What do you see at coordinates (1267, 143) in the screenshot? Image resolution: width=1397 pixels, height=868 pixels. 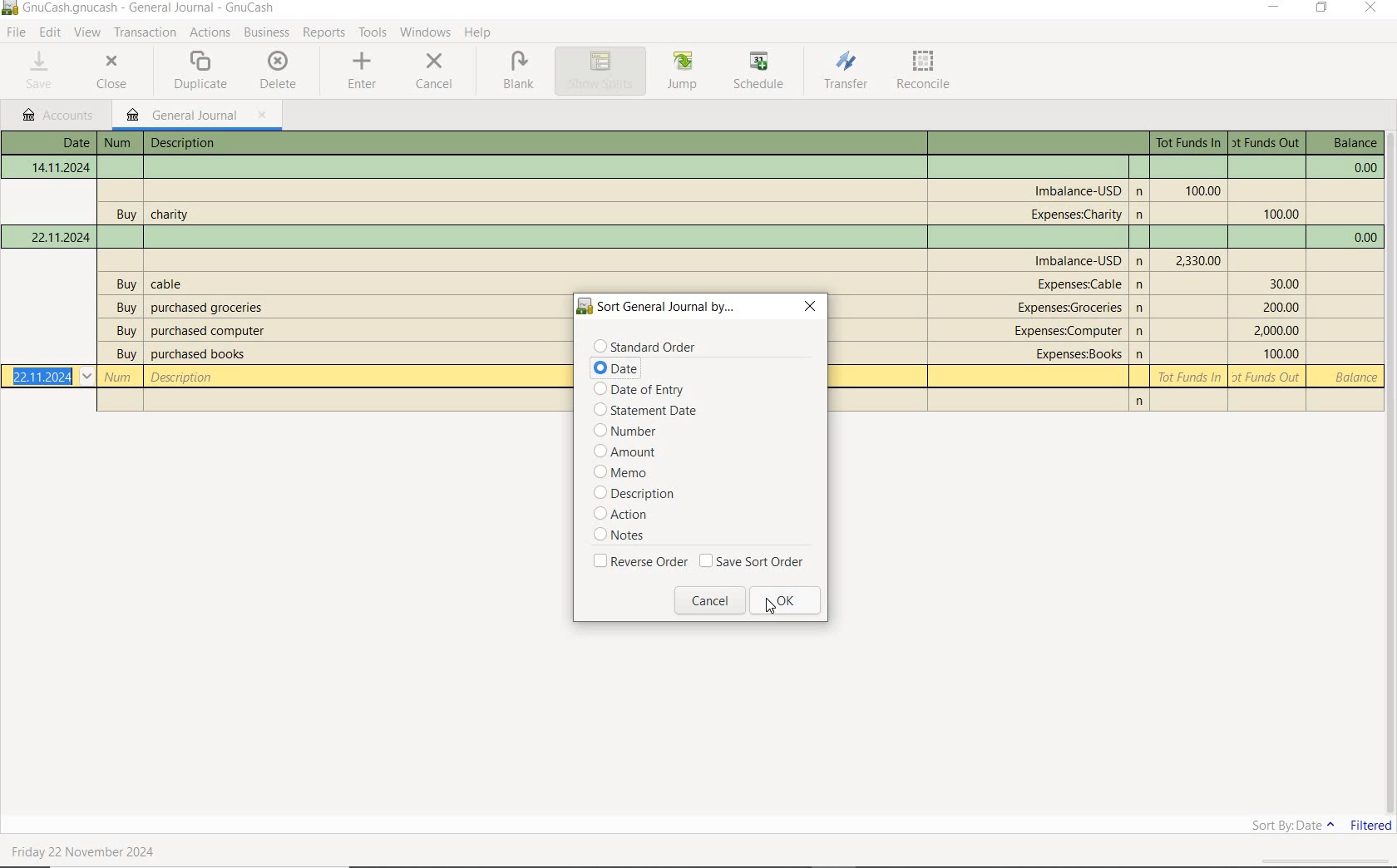 I see `Tot Funds Out` at bounding box center [1267, 143].